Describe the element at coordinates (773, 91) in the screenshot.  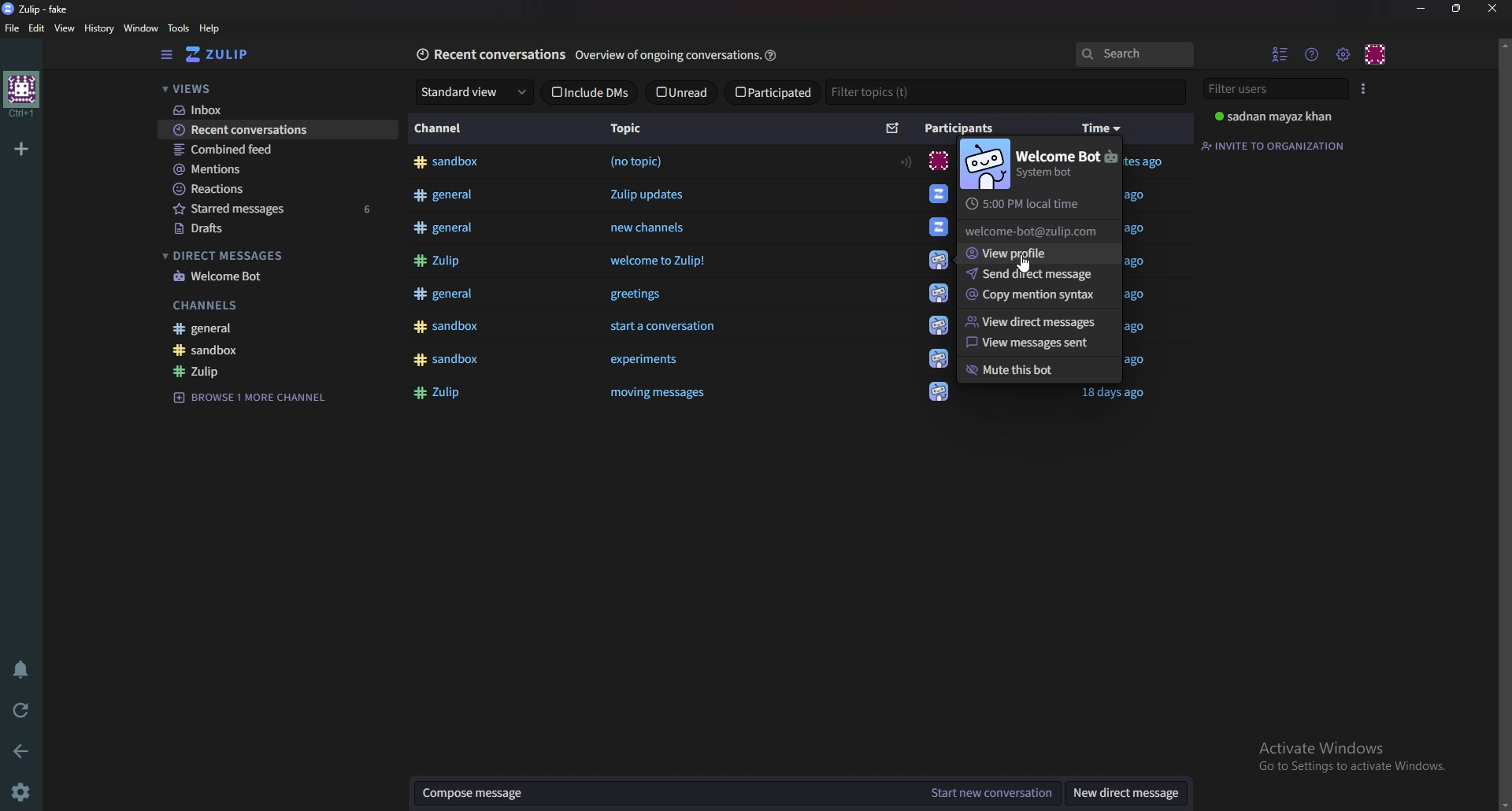
I see `Participated` at that location.